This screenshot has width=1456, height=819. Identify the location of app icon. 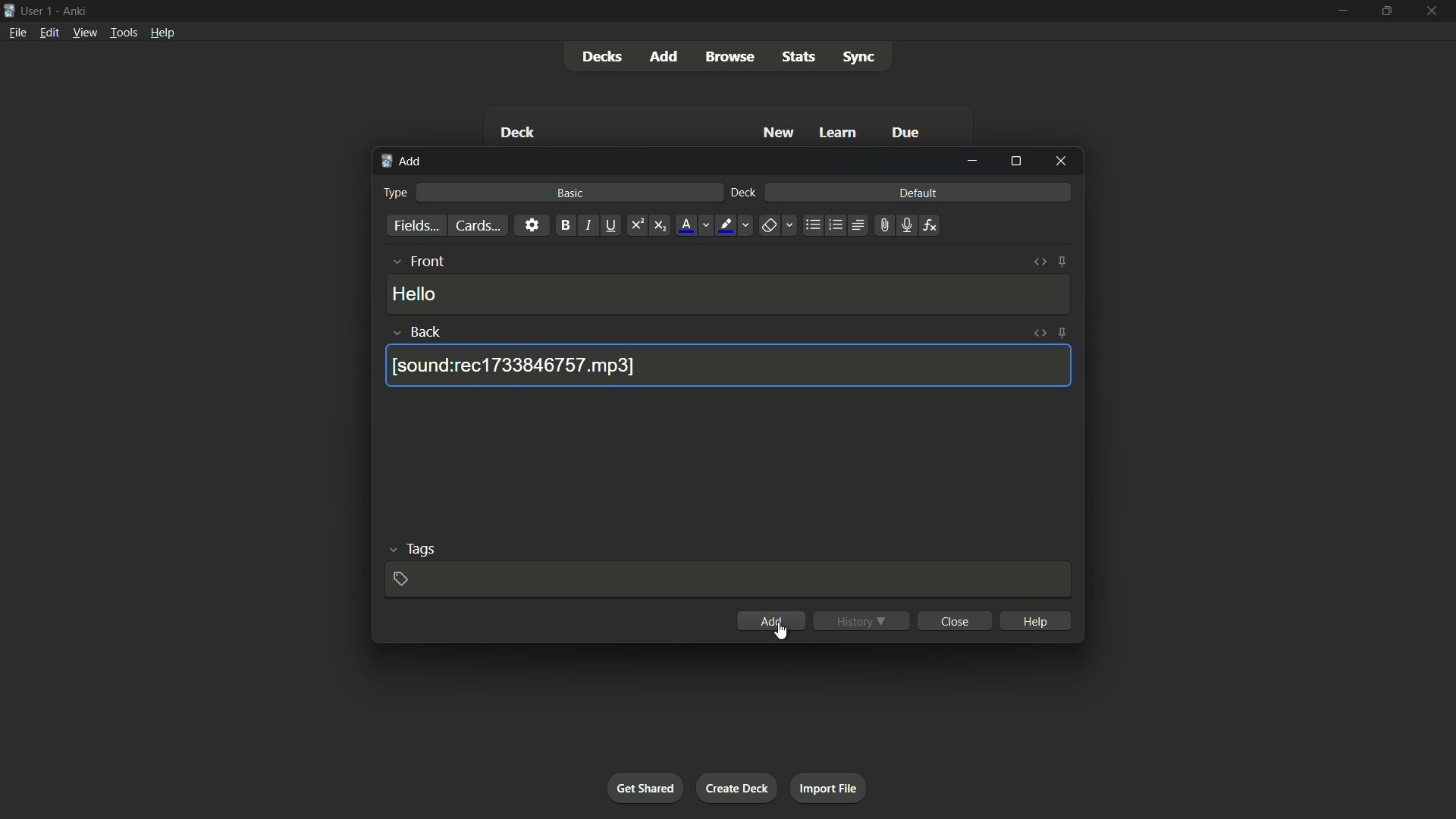
(9, 9).